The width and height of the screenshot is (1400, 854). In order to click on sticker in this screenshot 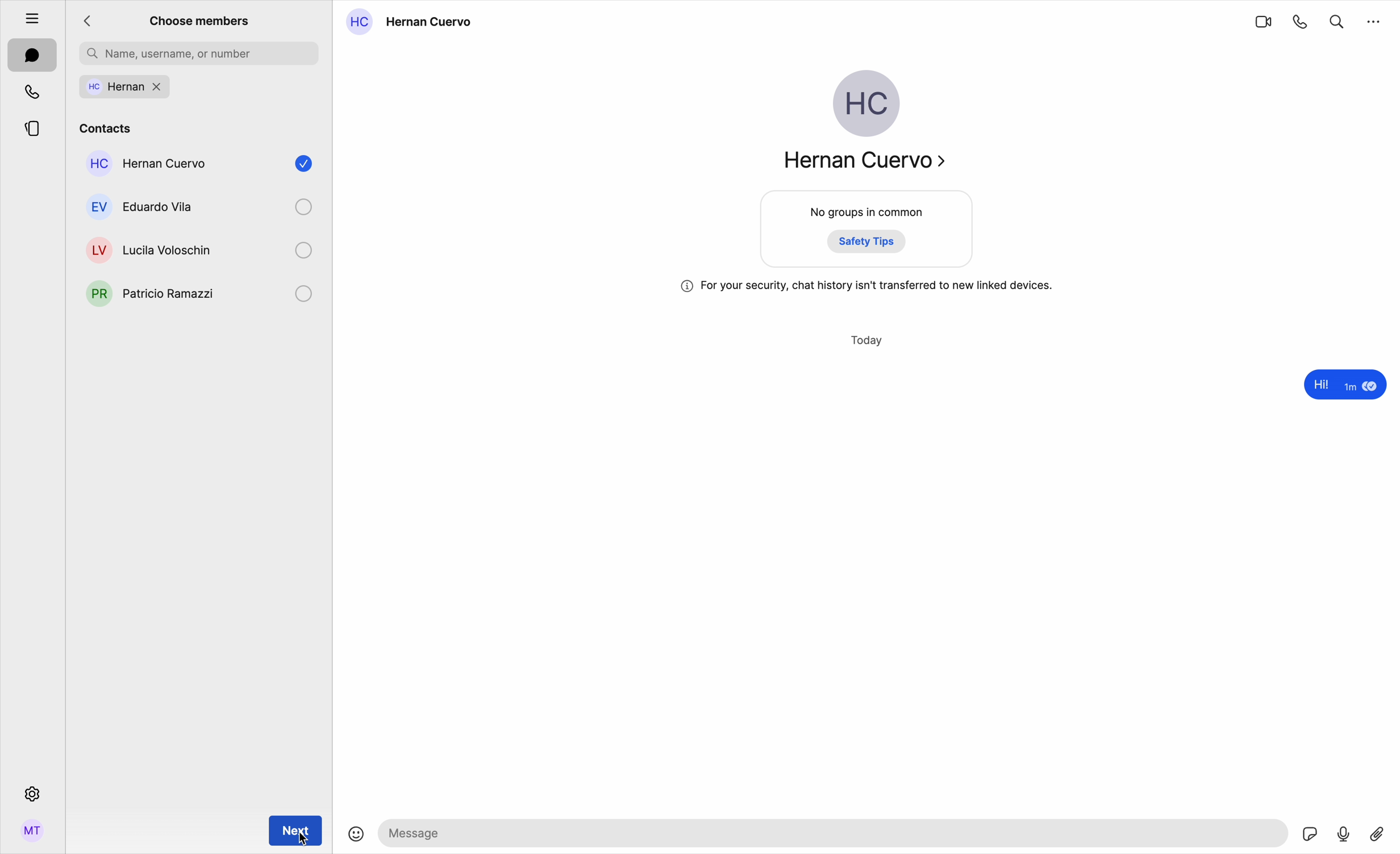, I will do `click(1311, 835)`.